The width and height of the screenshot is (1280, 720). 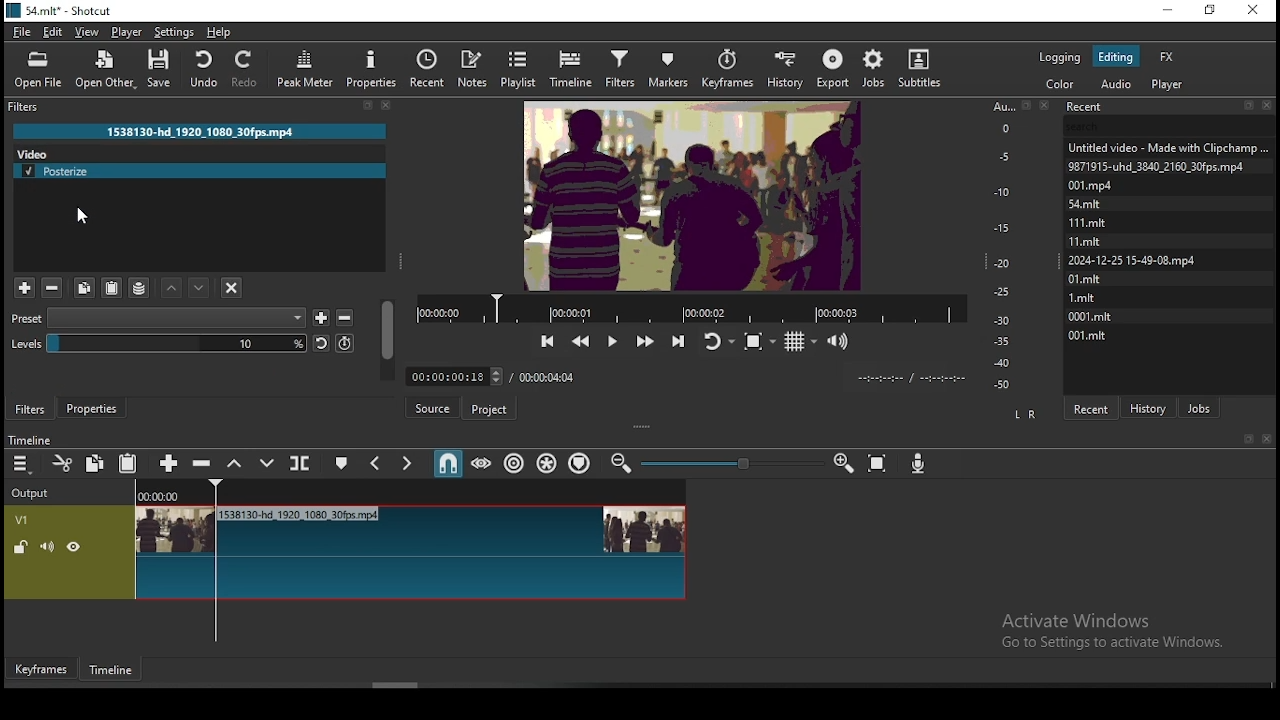 What do you see at coordinates (520, 69) in the screenshot?
I see `playlist` at bounding box center [520, 69].